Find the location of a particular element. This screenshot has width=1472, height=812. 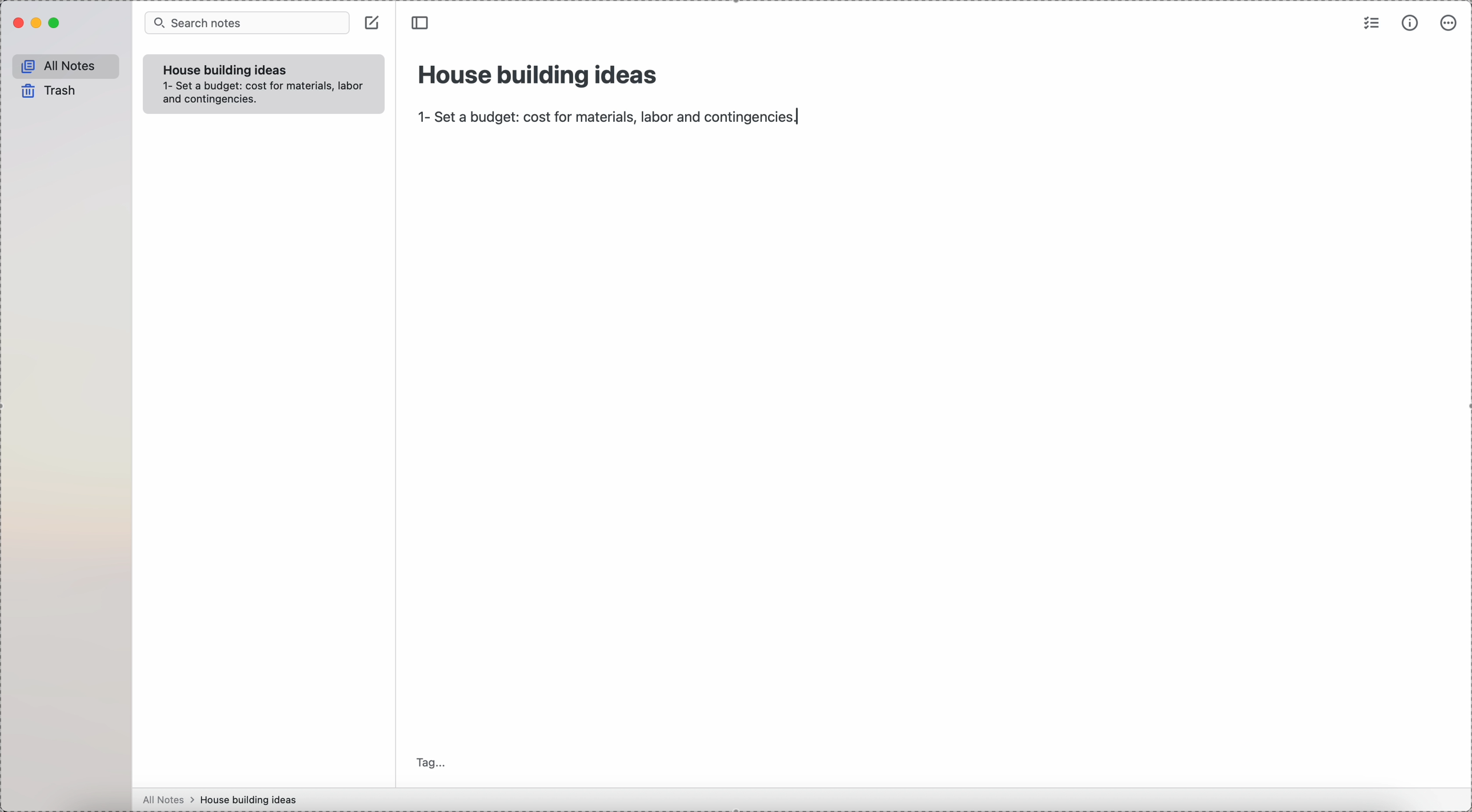

maximize Simplenote is located at coordinates (58, 23).